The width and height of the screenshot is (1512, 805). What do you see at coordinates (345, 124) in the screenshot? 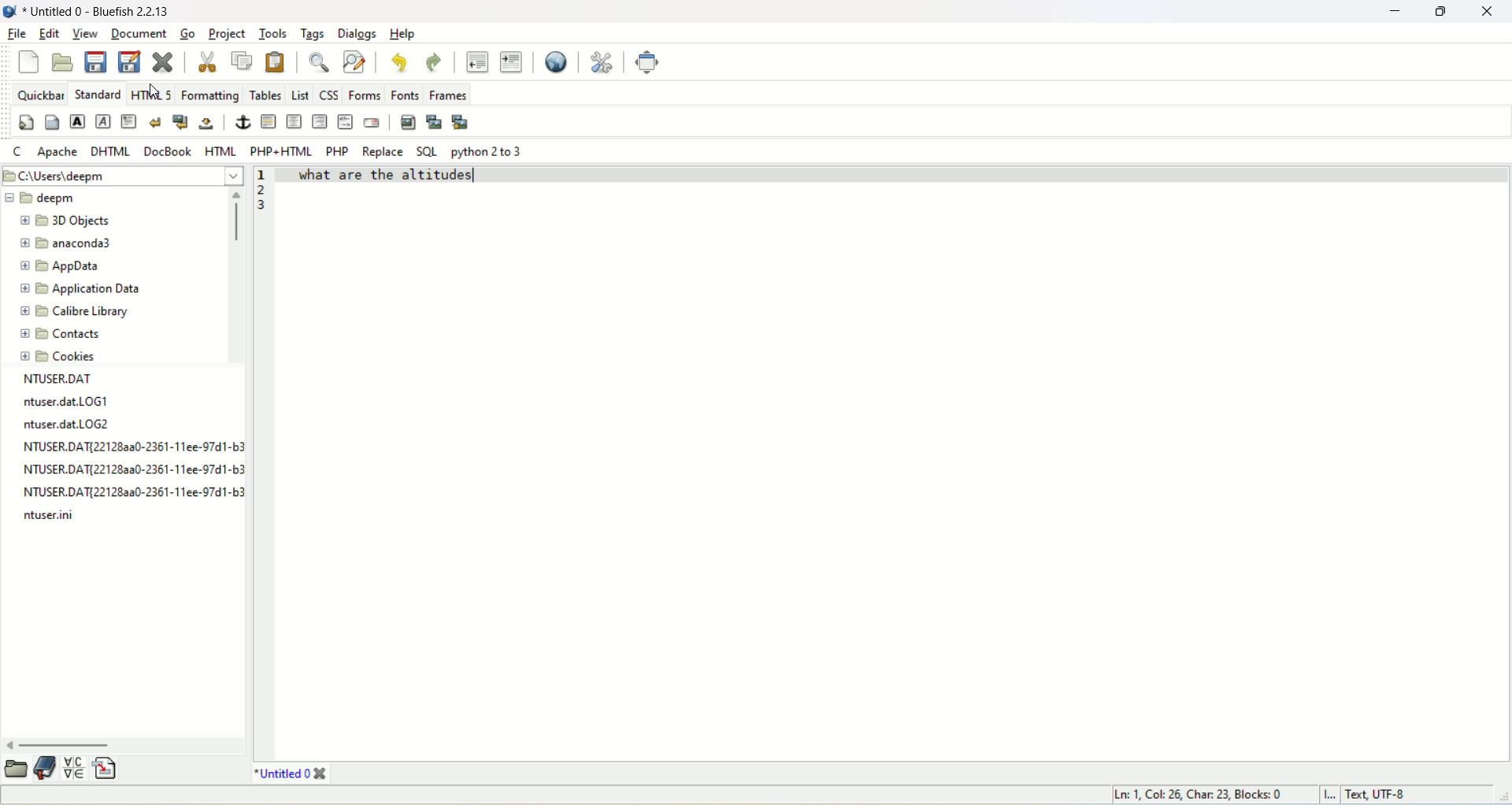
I see `HTML comment` at bounding box center [345, 124].